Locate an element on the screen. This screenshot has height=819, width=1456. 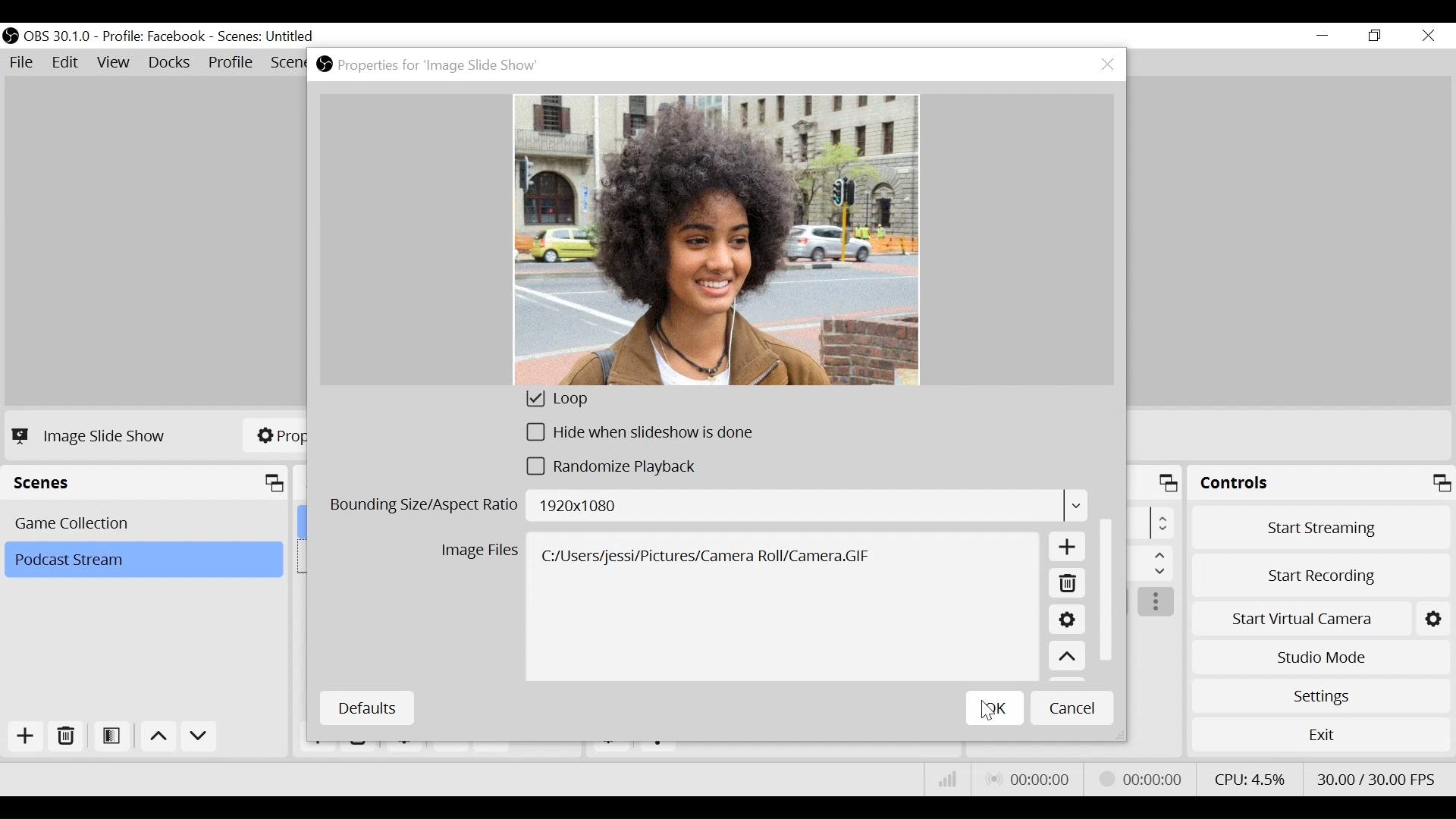
C:/Users/jessi/Pictures/Camera Roll/Camera.GIF is located at coordinates (784, 606).